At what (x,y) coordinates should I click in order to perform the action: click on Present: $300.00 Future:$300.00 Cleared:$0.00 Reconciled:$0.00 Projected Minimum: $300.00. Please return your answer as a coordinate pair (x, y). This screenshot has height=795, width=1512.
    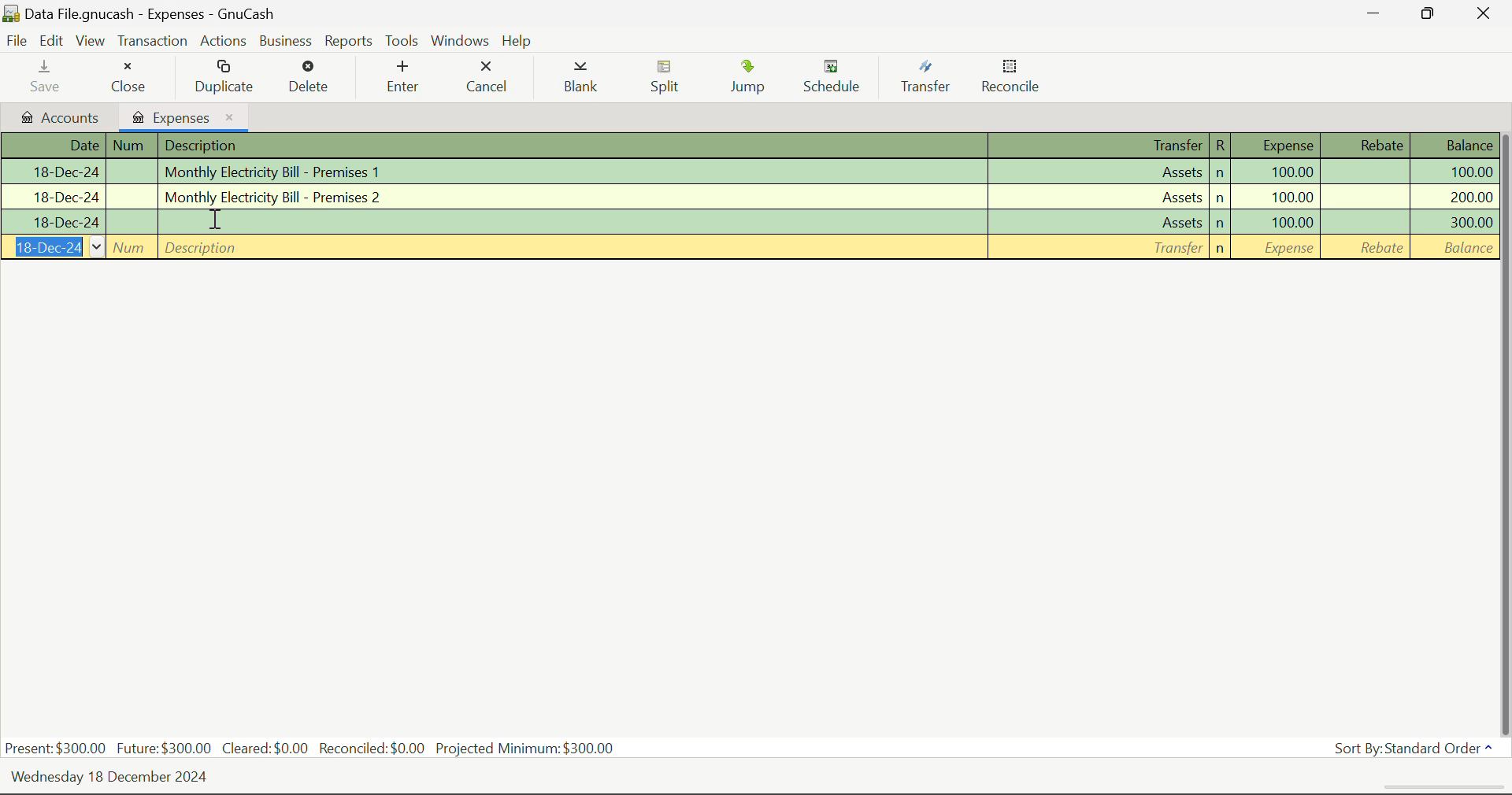
    Looking at the image, I should click on (315, 749).